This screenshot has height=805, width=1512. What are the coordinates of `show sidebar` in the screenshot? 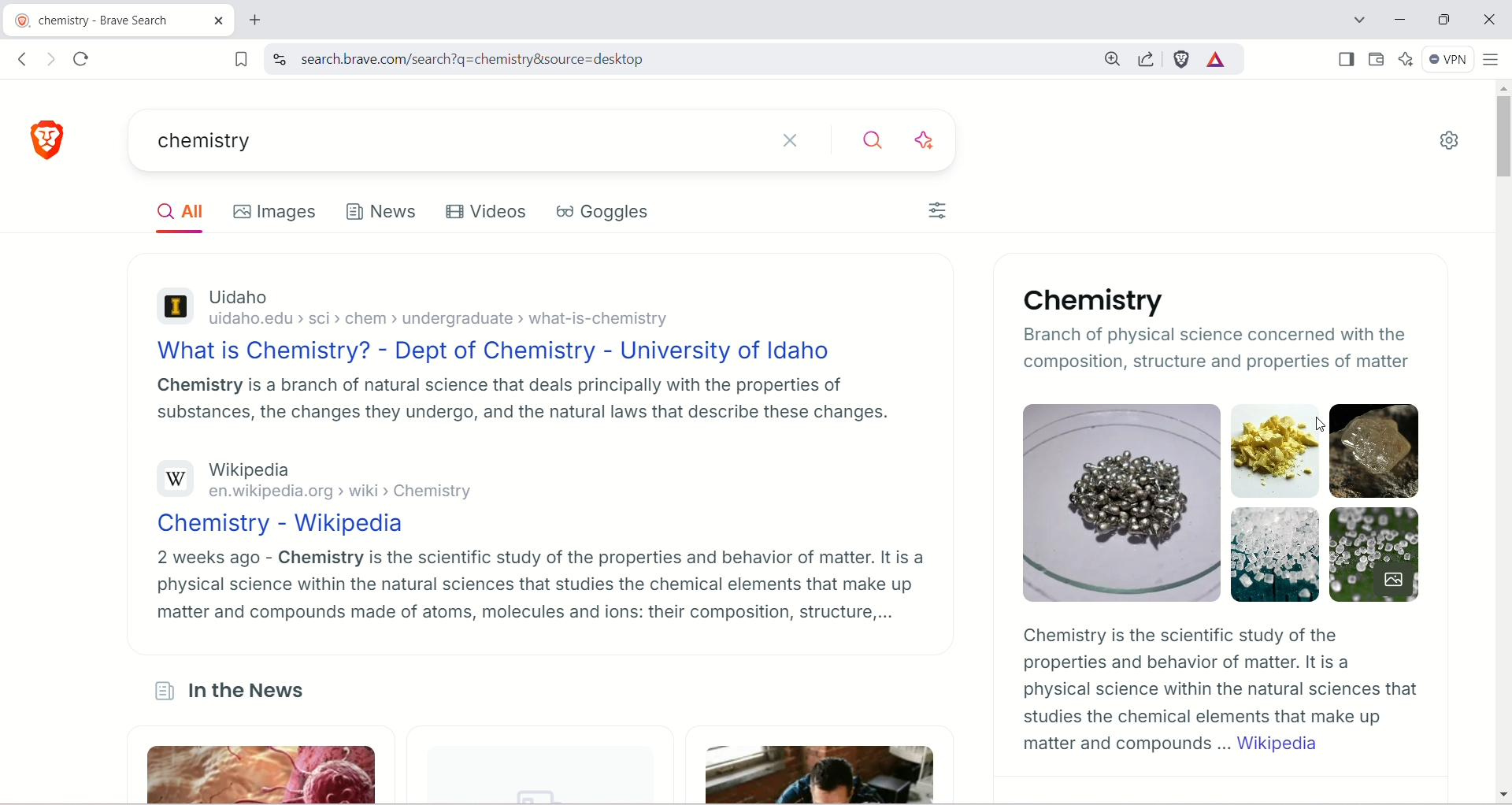 It's located at (1345, 59).